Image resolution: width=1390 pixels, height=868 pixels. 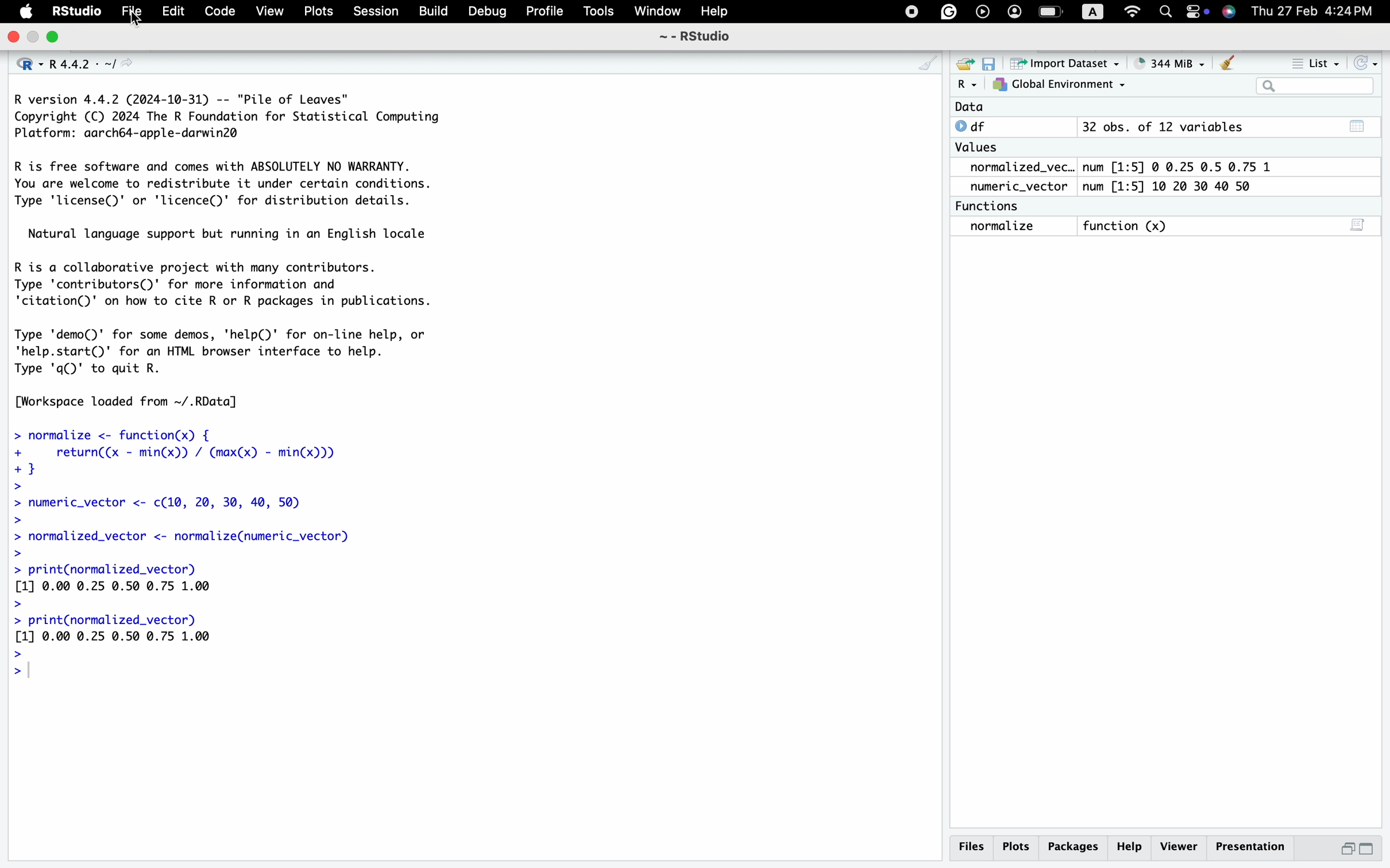 What do you see at coordinates (218, 13) in the screenshot?
I see `Code` at bounding box center [218, 13].